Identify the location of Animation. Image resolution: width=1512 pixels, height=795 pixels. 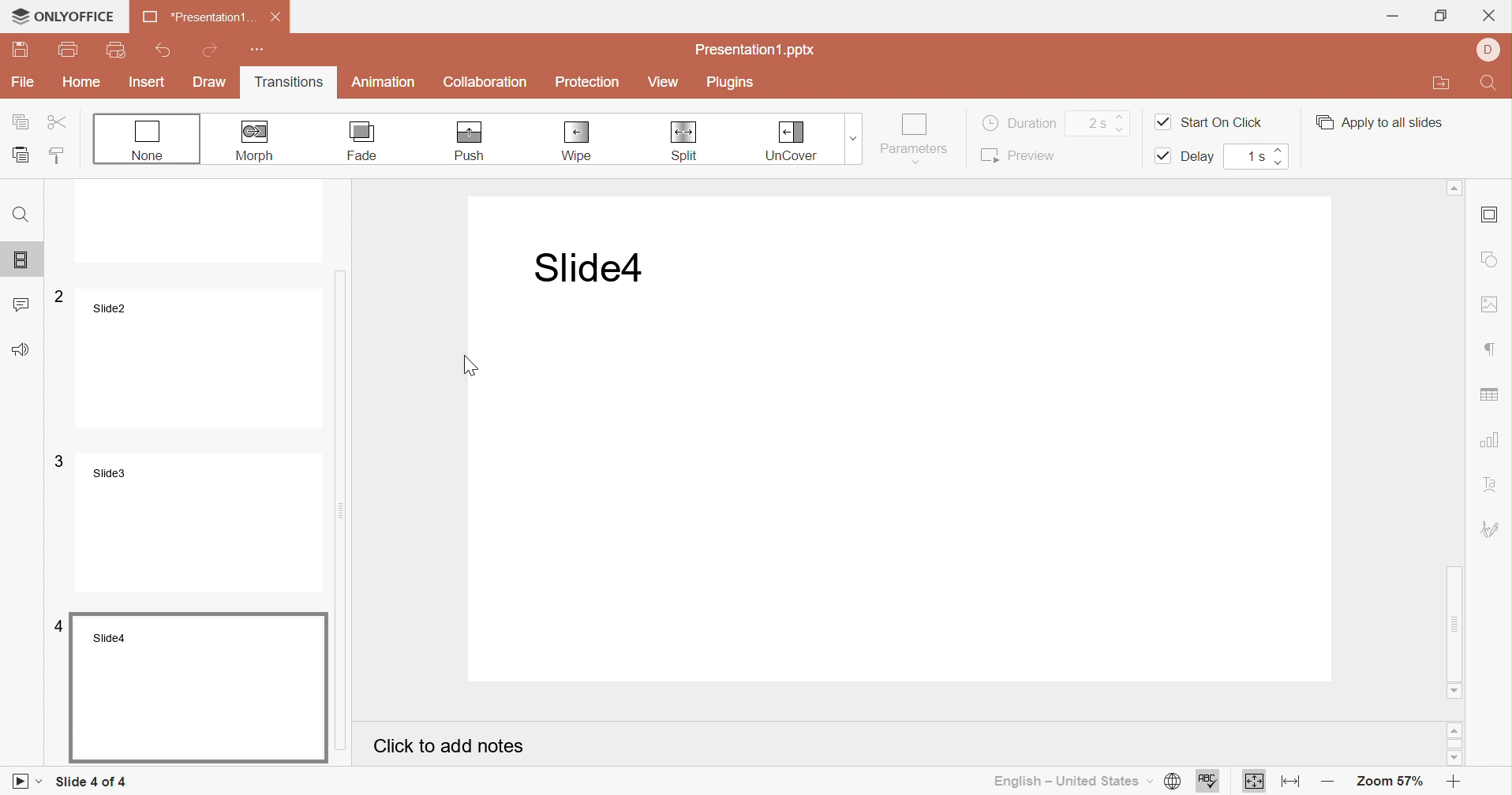
(384, 84).